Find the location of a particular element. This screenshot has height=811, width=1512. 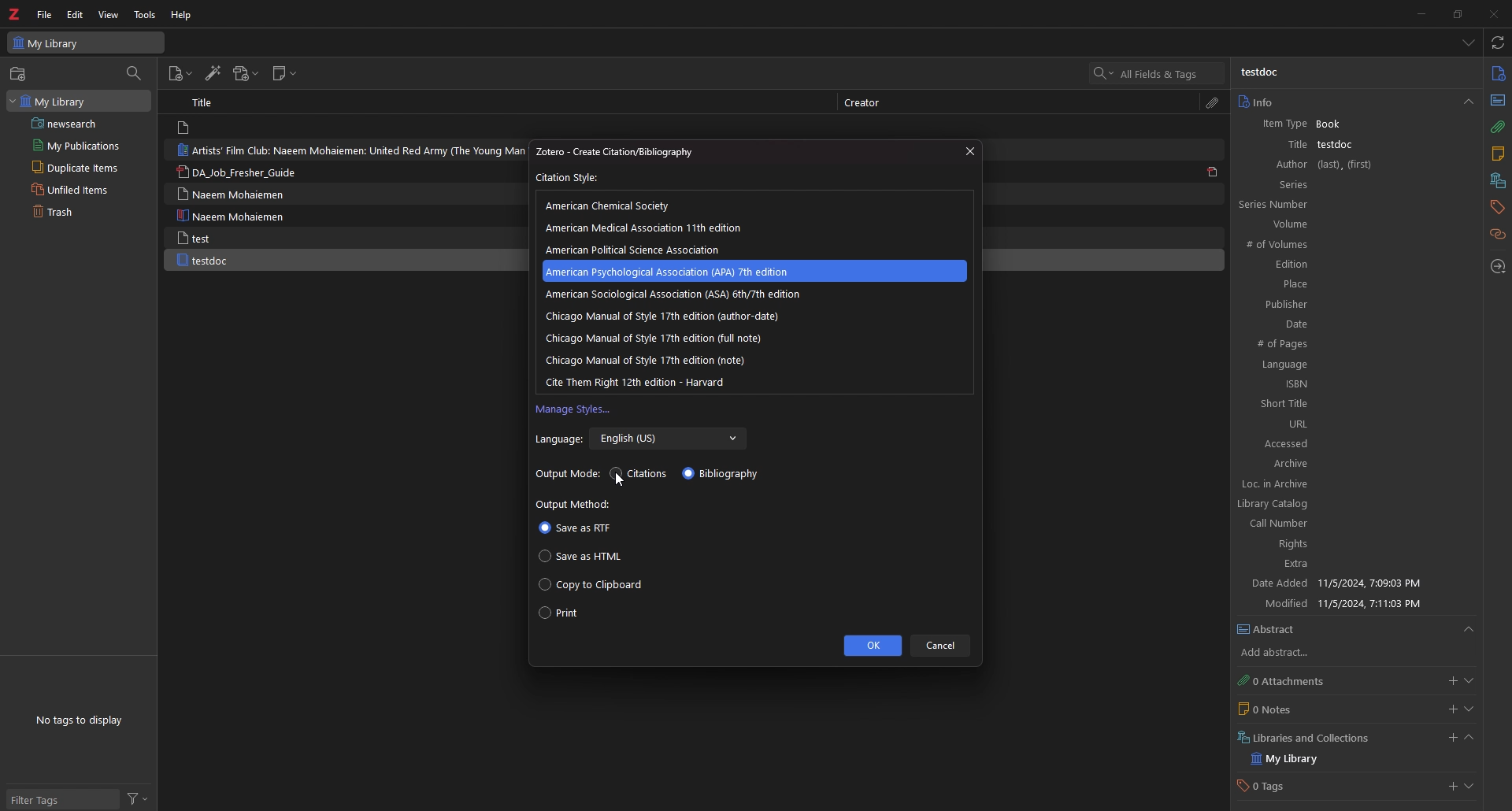

info is located at coordinates (1498, 74).